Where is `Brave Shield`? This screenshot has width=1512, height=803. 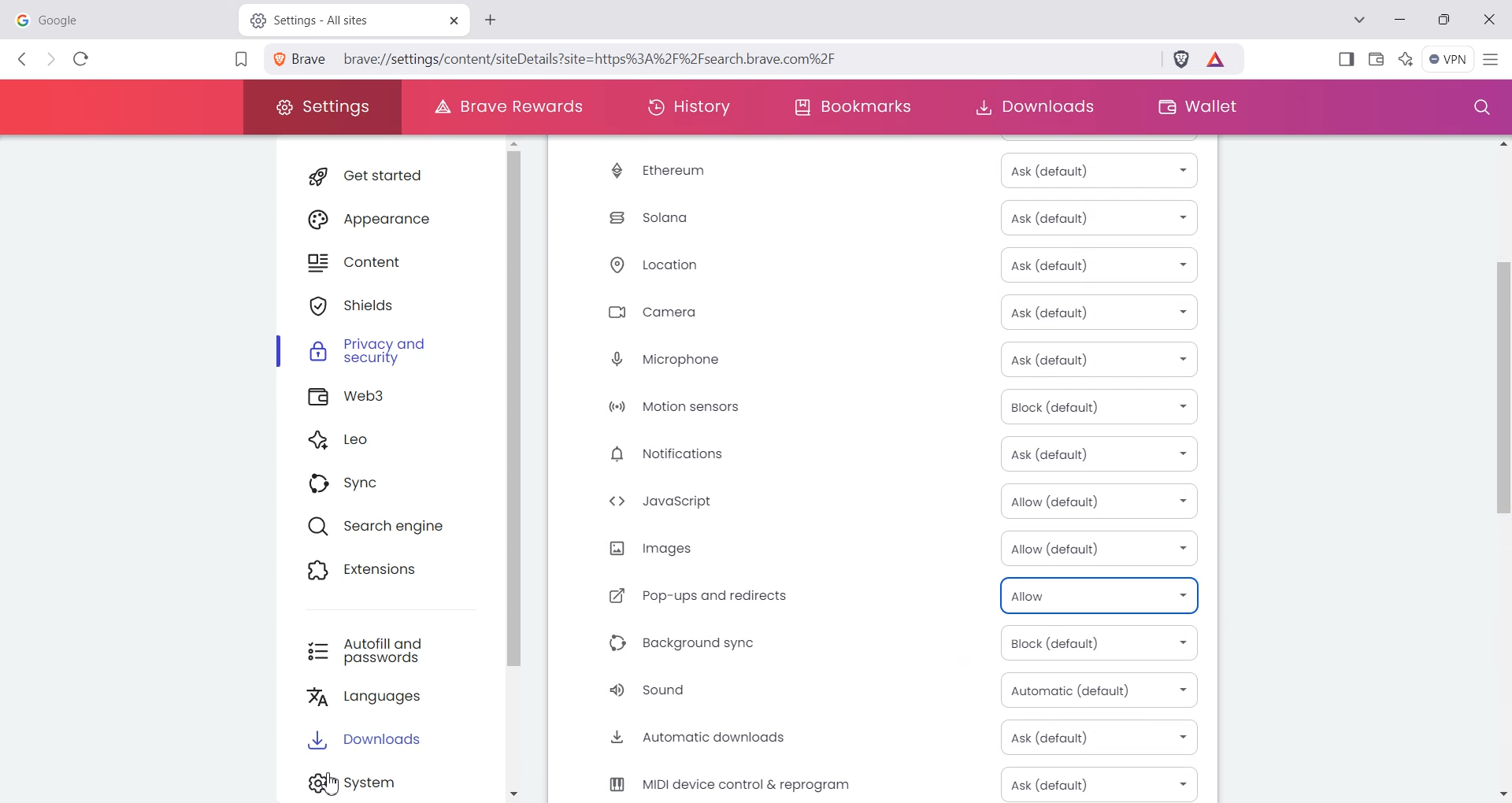
Brave Shield is located at coordinates (1181, 61).